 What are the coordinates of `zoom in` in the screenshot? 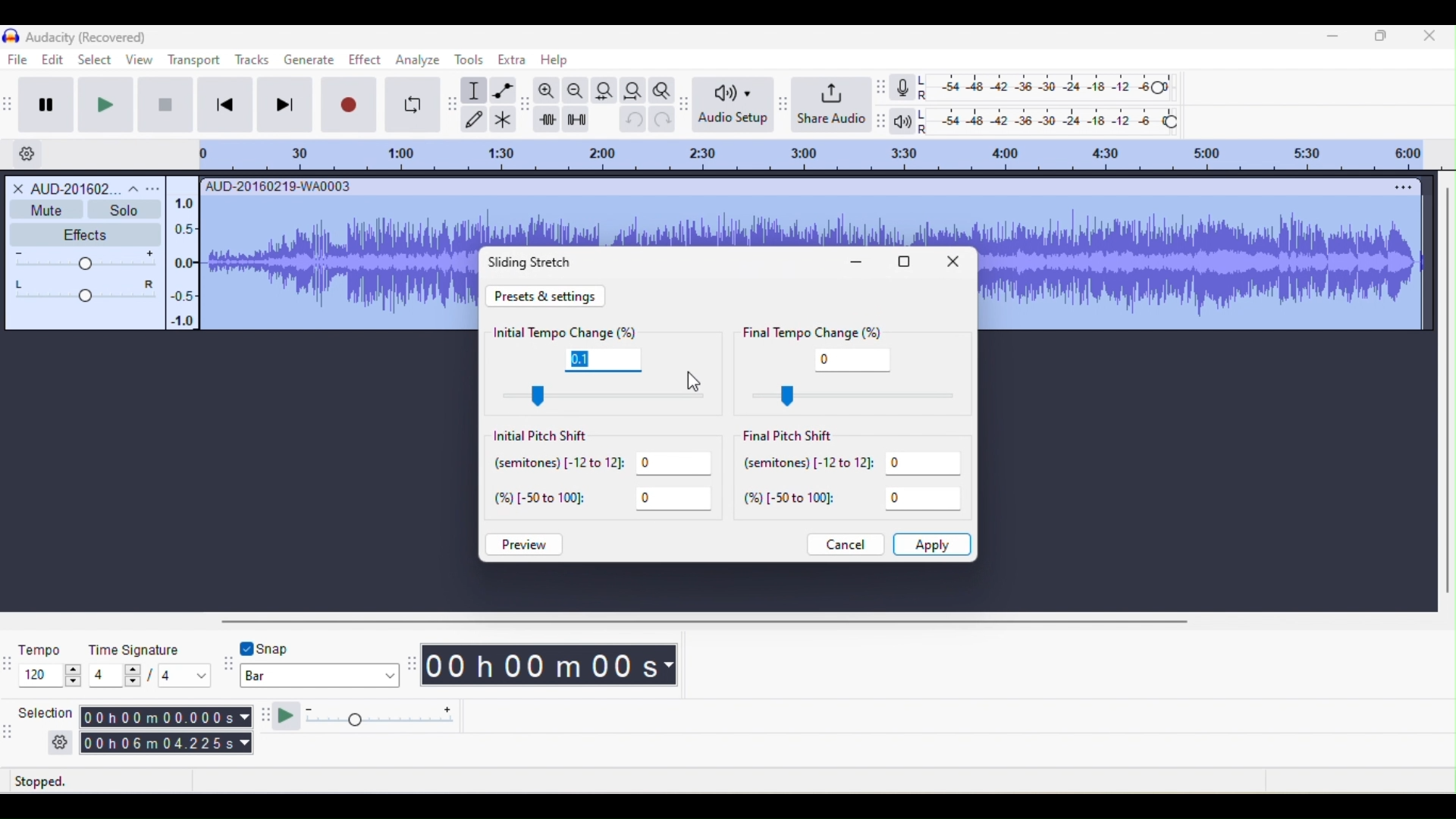 It's located at (547, 91).